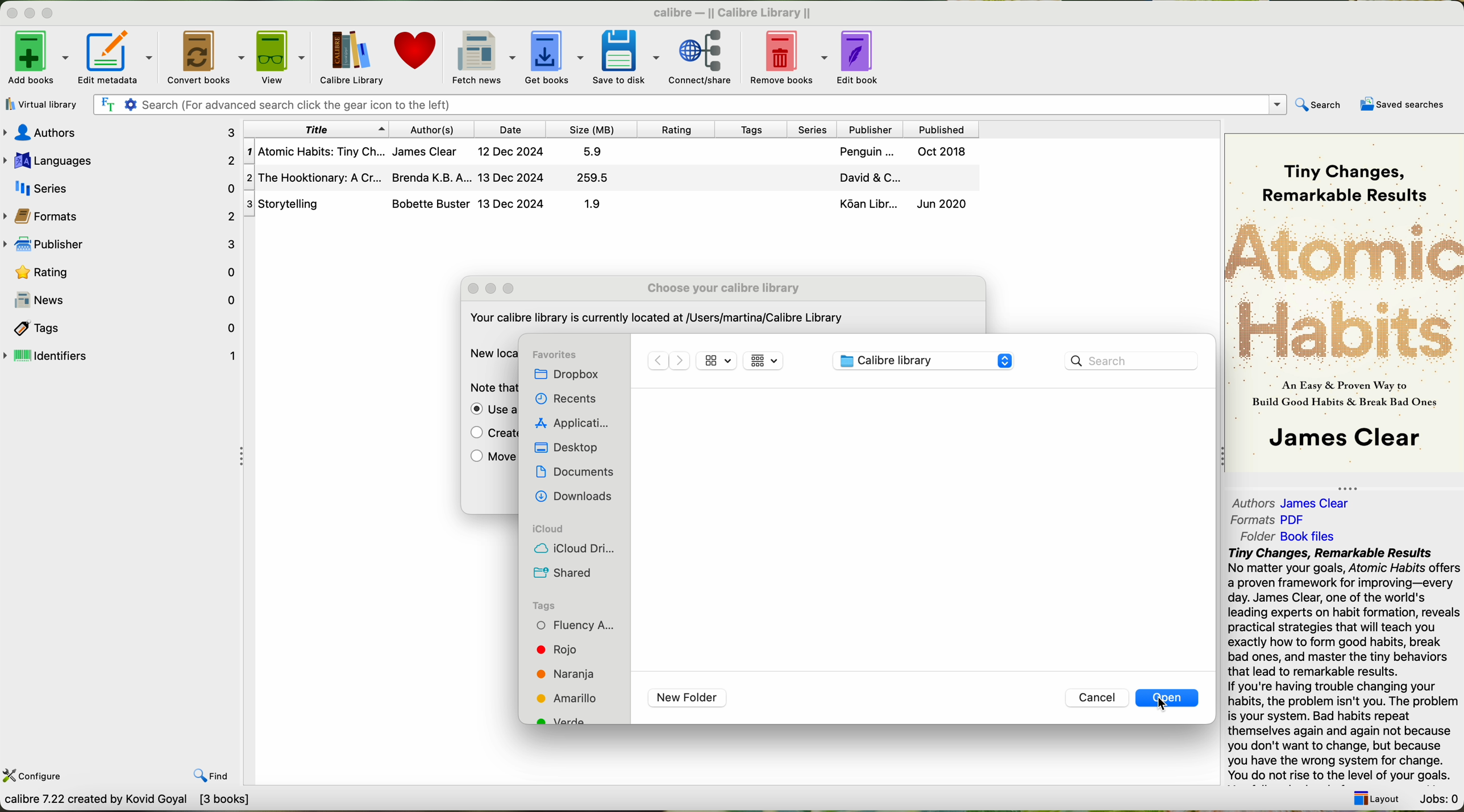 This screenshot has height=812, width=1464. I want to click on yellow tag, so click(578, 699).